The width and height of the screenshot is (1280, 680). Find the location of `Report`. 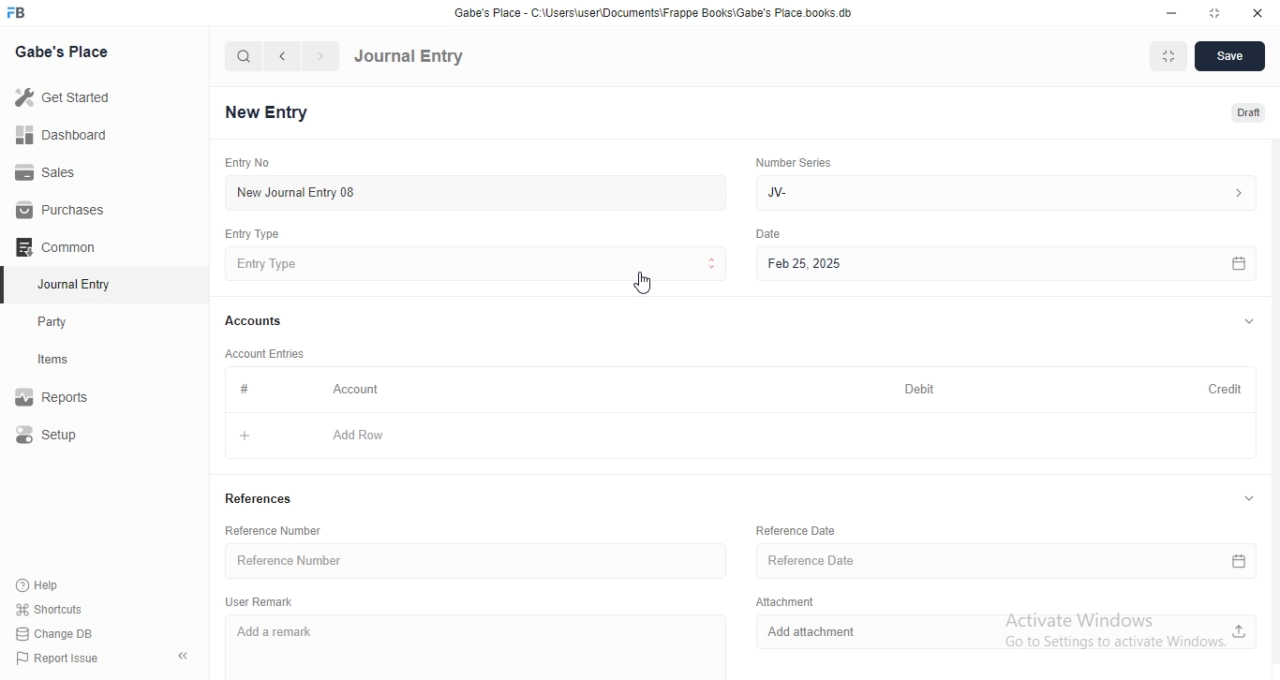

Report is located at coordinates (67, 397).